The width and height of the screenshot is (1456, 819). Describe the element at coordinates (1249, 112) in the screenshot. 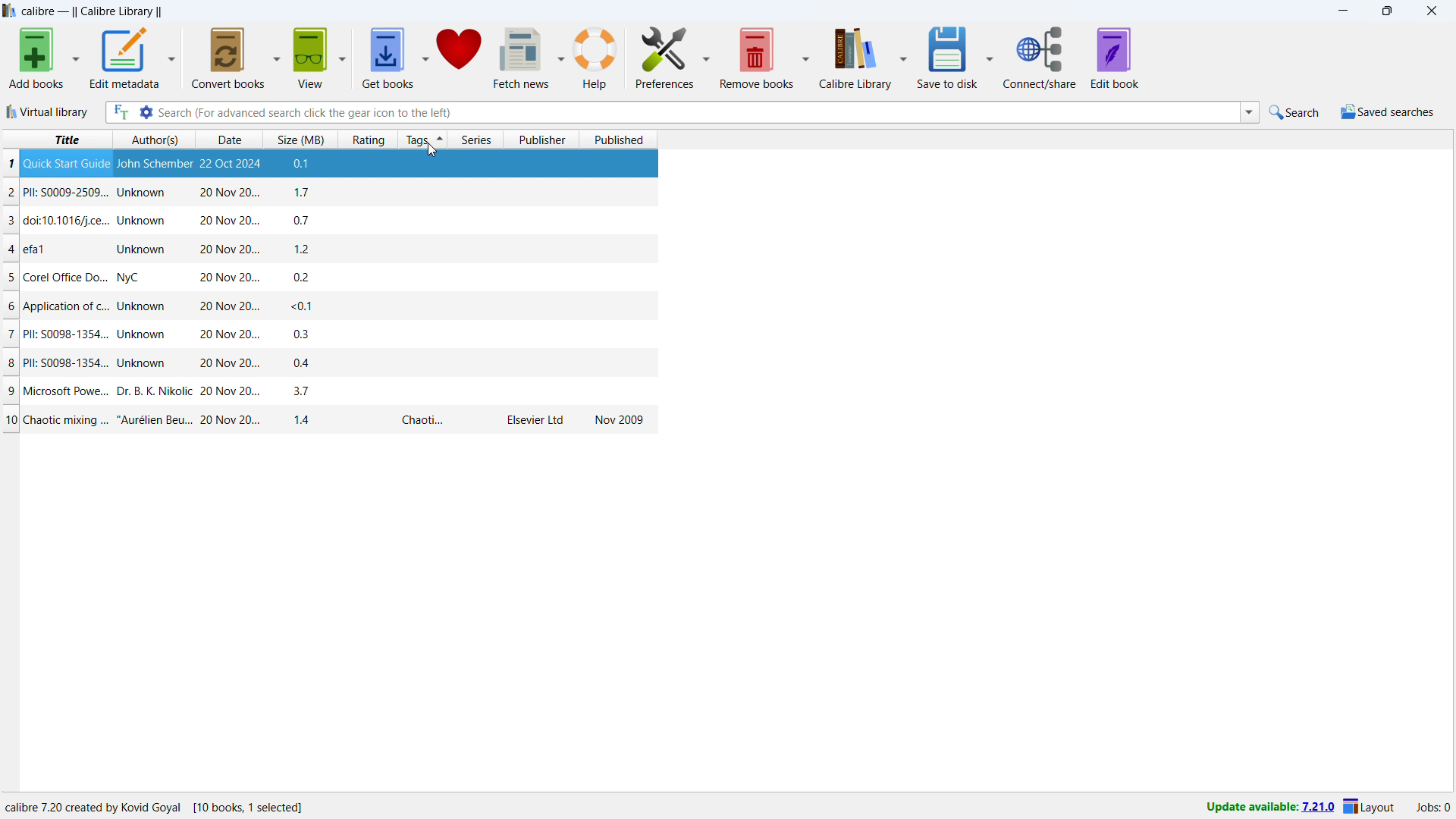

I see `search history` at that location.